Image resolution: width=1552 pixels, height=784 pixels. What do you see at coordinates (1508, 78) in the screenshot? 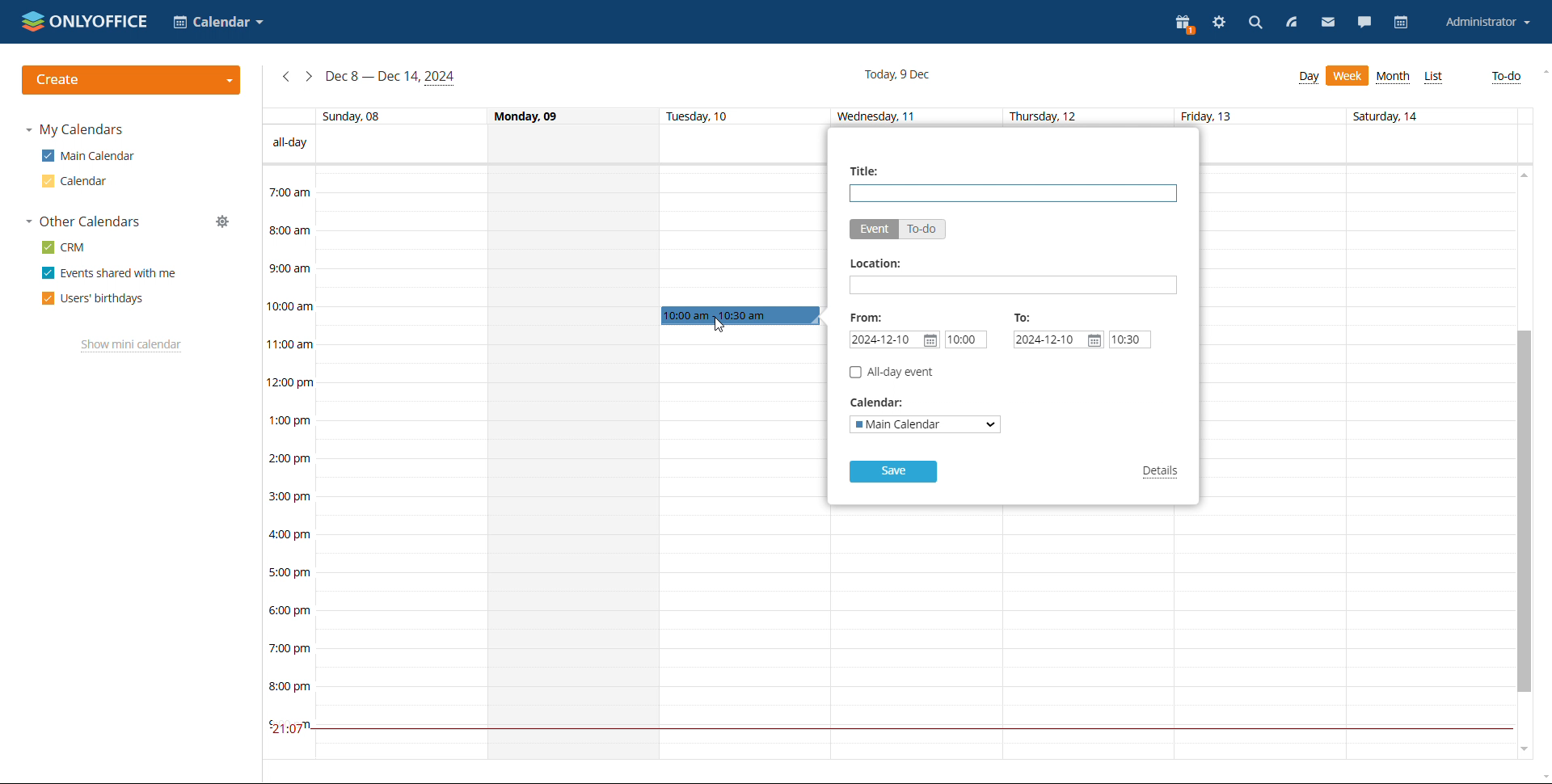
I see `to-do` at bounding box center [1508, 78].